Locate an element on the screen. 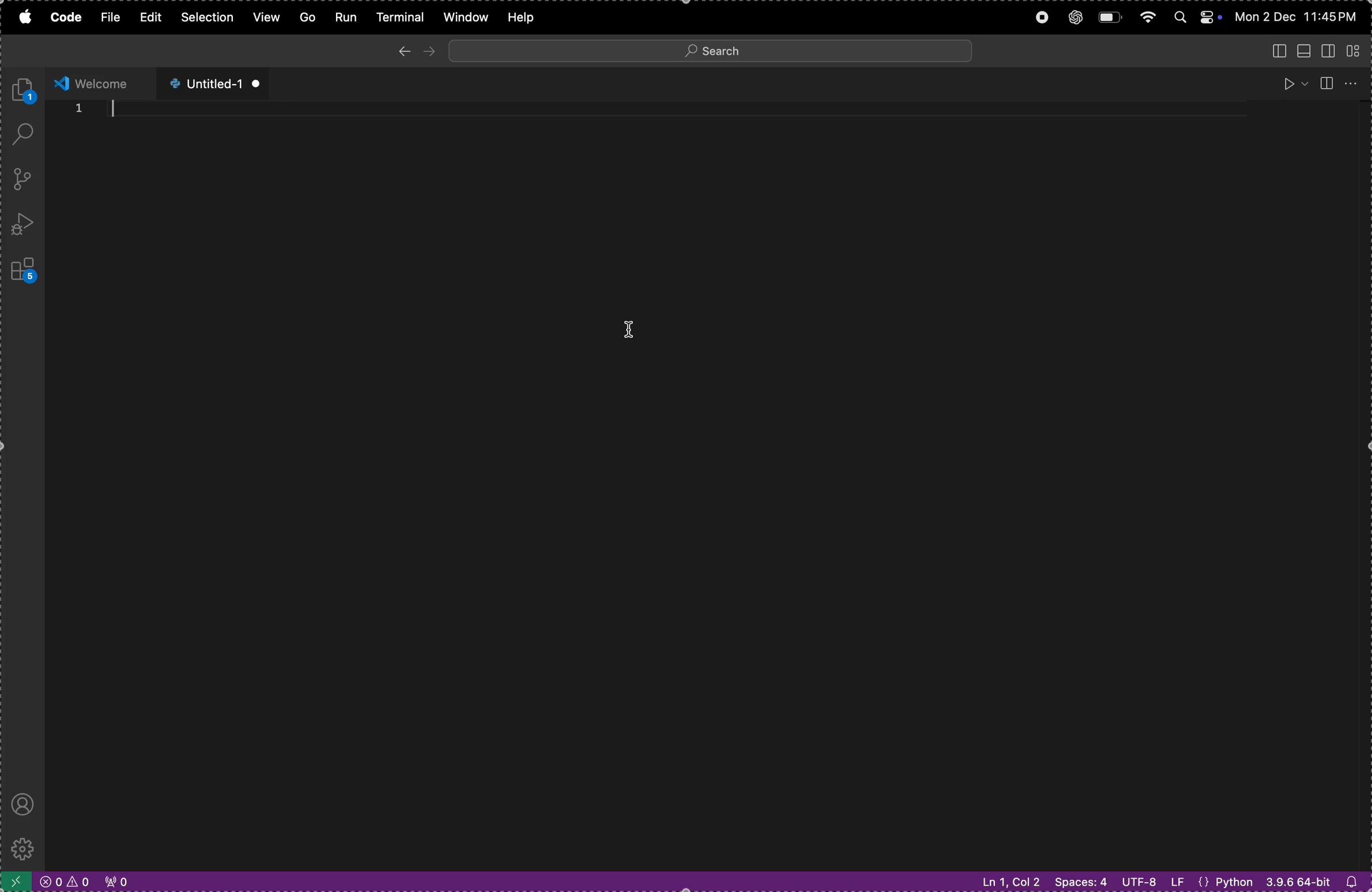 Image resolution: width=1372 pixels, height=892 pixels. no errors is located at coordinates (62, 882).